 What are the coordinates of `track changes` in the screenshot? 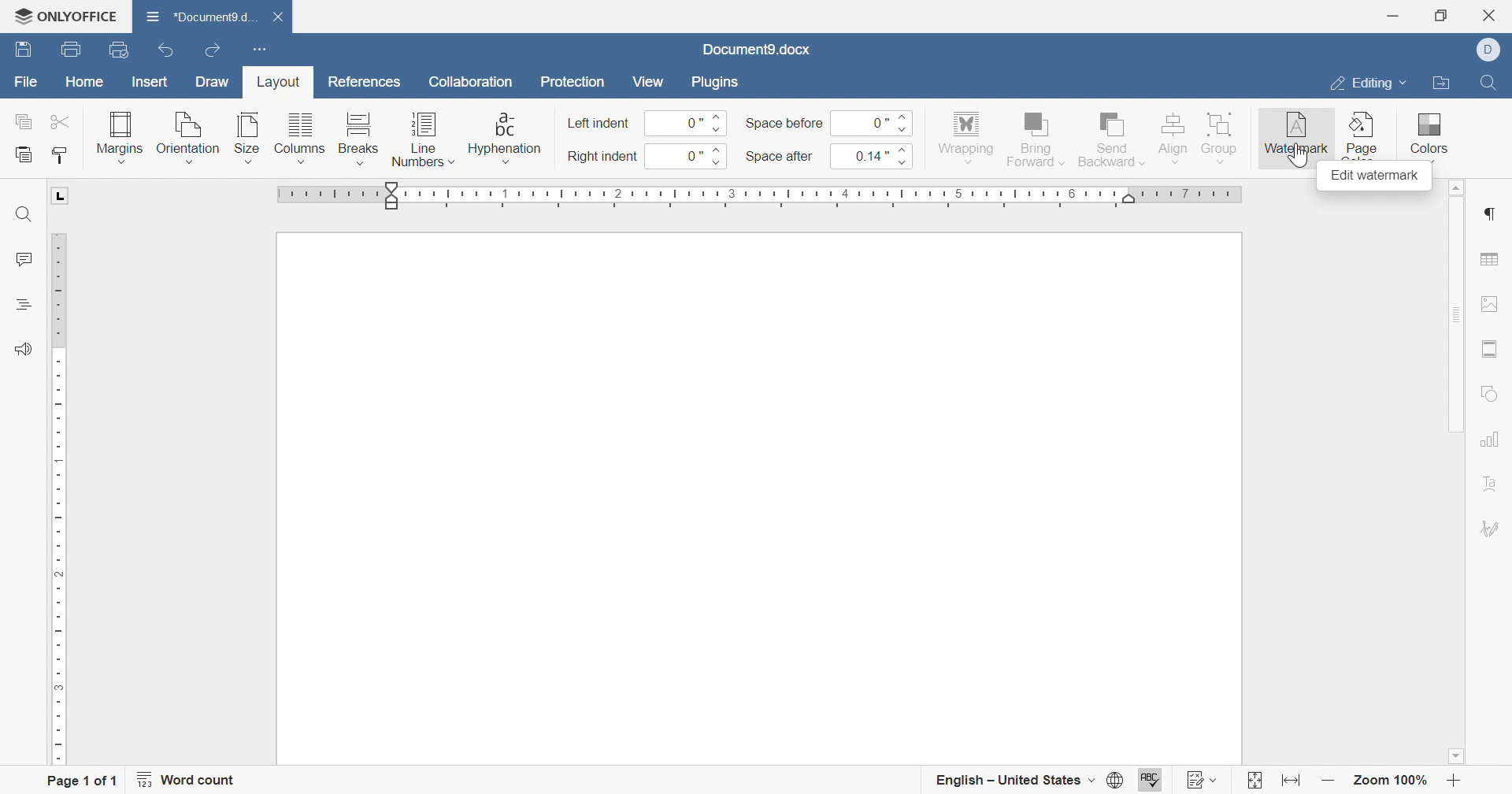 It's located at (1203, 780).